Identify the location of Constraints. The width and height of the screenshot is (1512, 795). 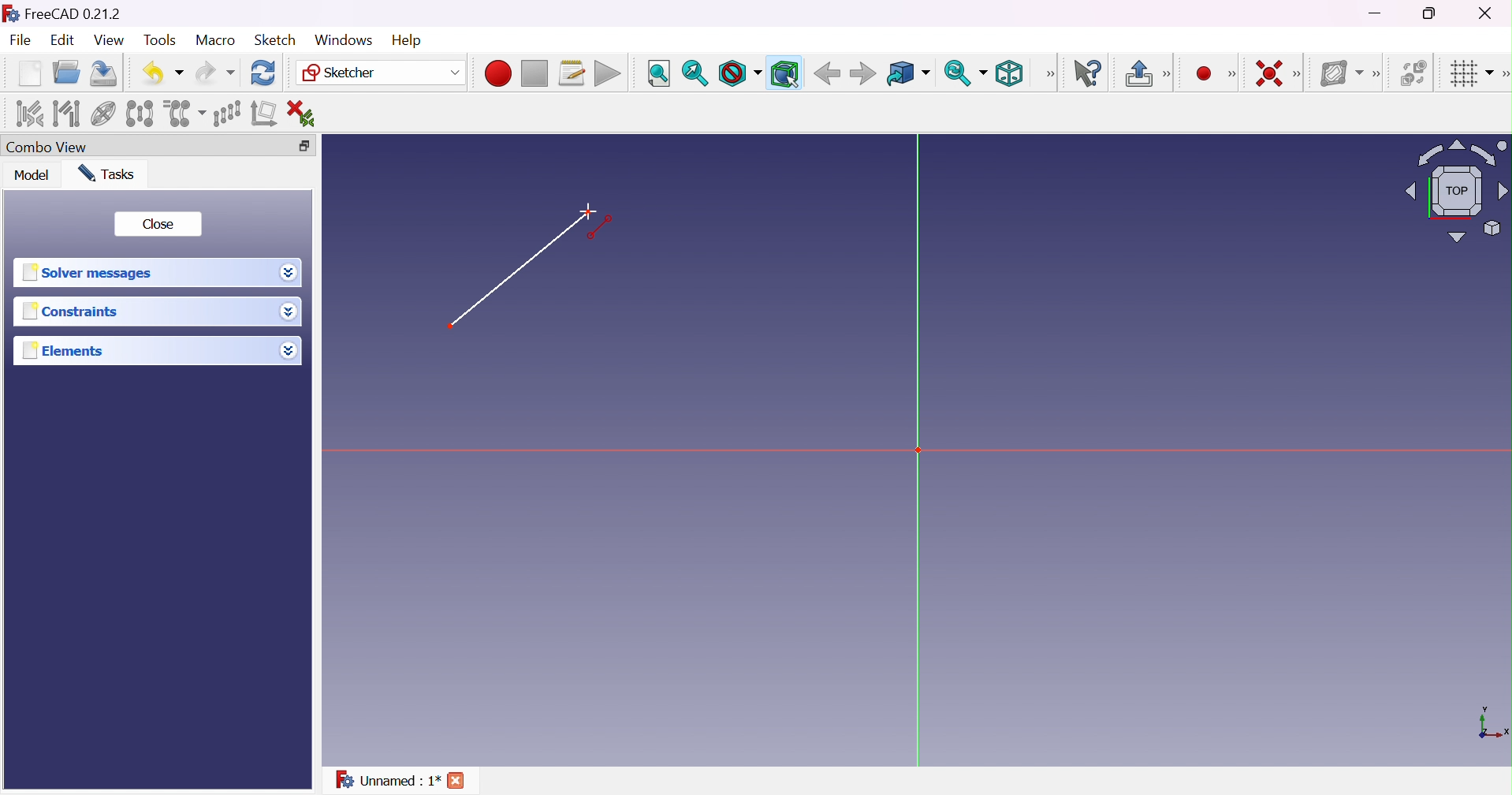
(70, 313).